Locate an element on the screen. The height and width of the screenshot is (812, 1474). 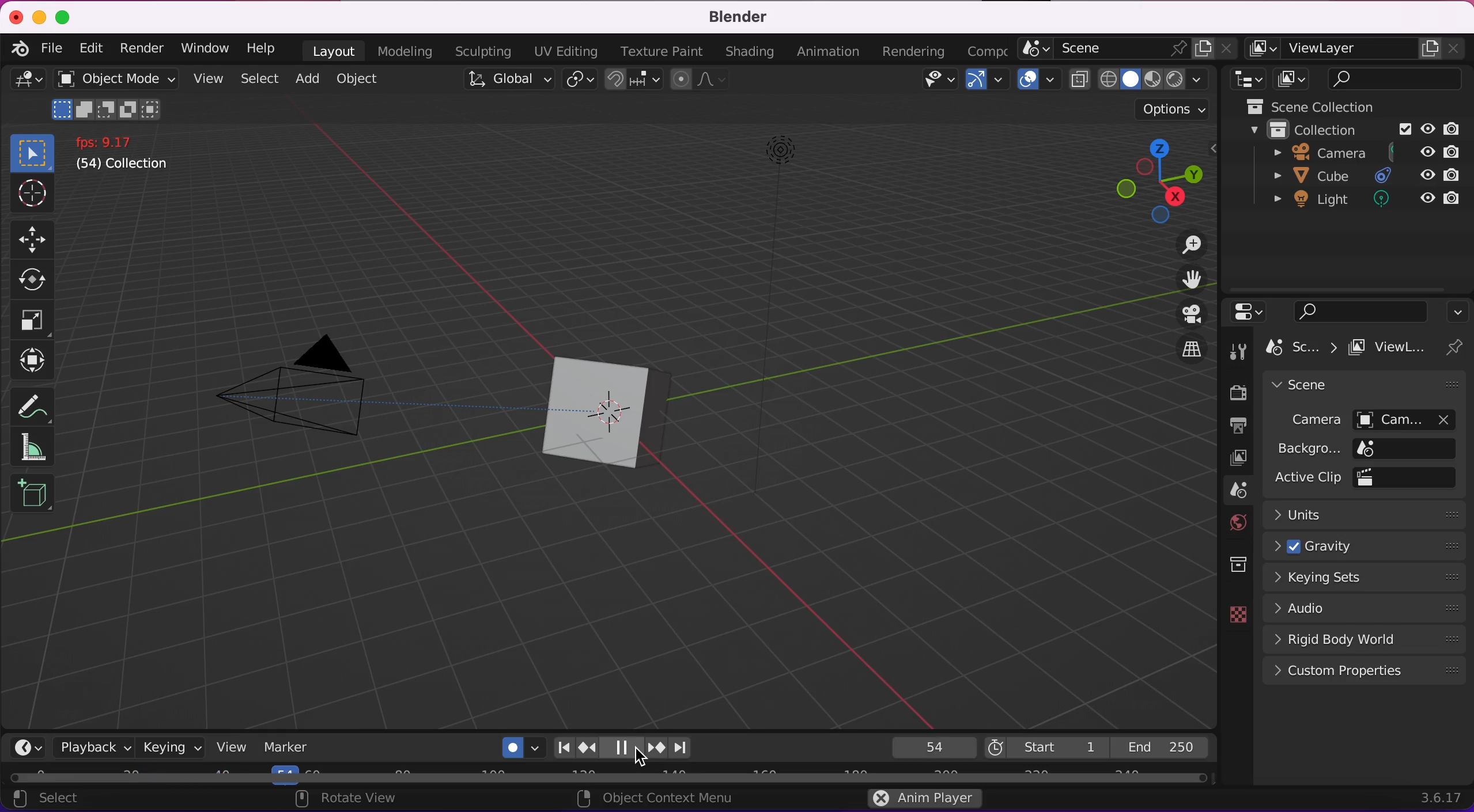
gravity is located at coordinates (1363, 545).